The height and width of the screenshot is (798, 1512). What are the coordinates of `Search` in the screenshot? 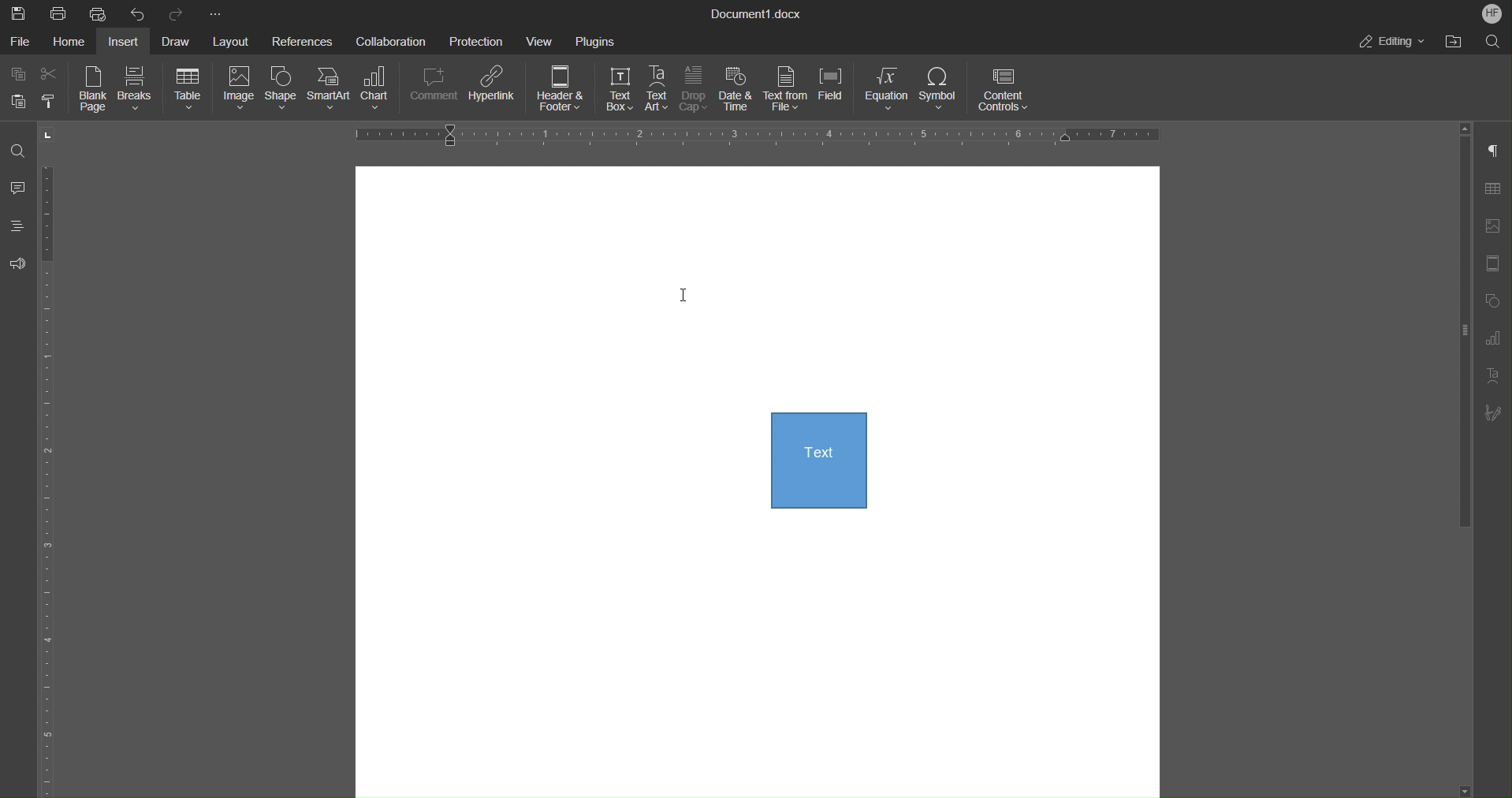 It's located at (1490, 42).